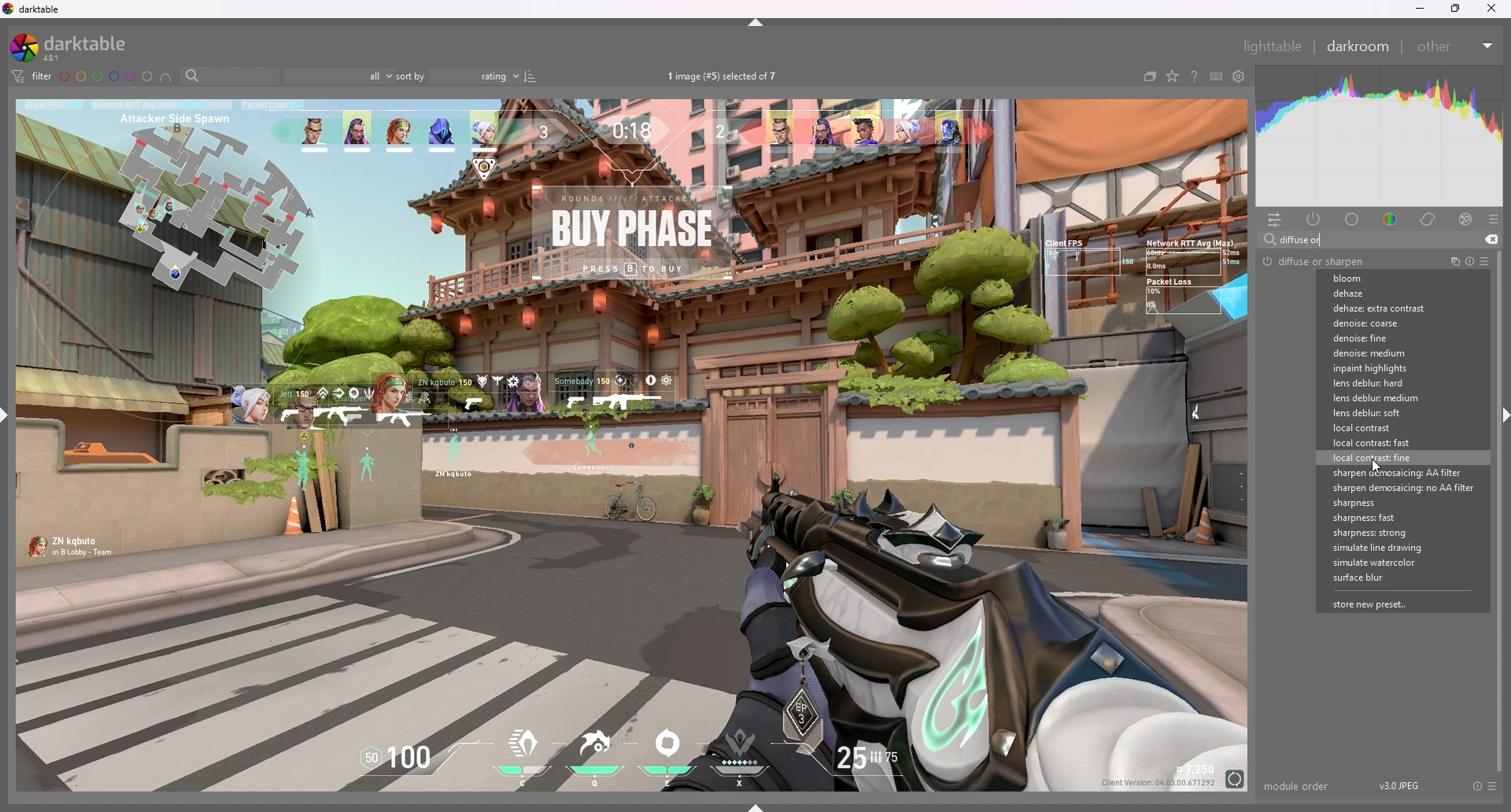  I want to click on other, so click(1457, 46).